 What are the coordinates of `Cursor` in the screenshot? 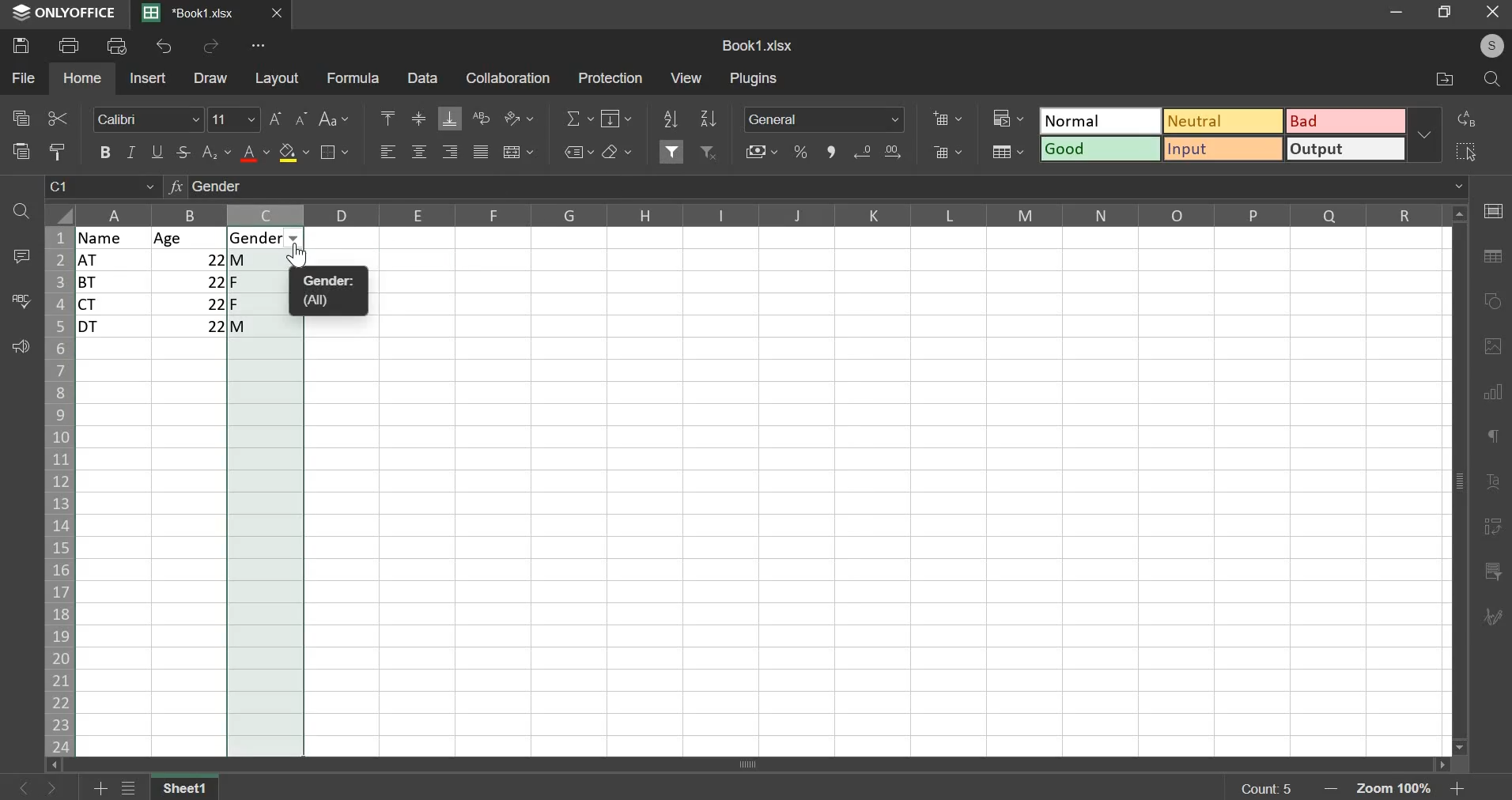 It's located at (301, 257).